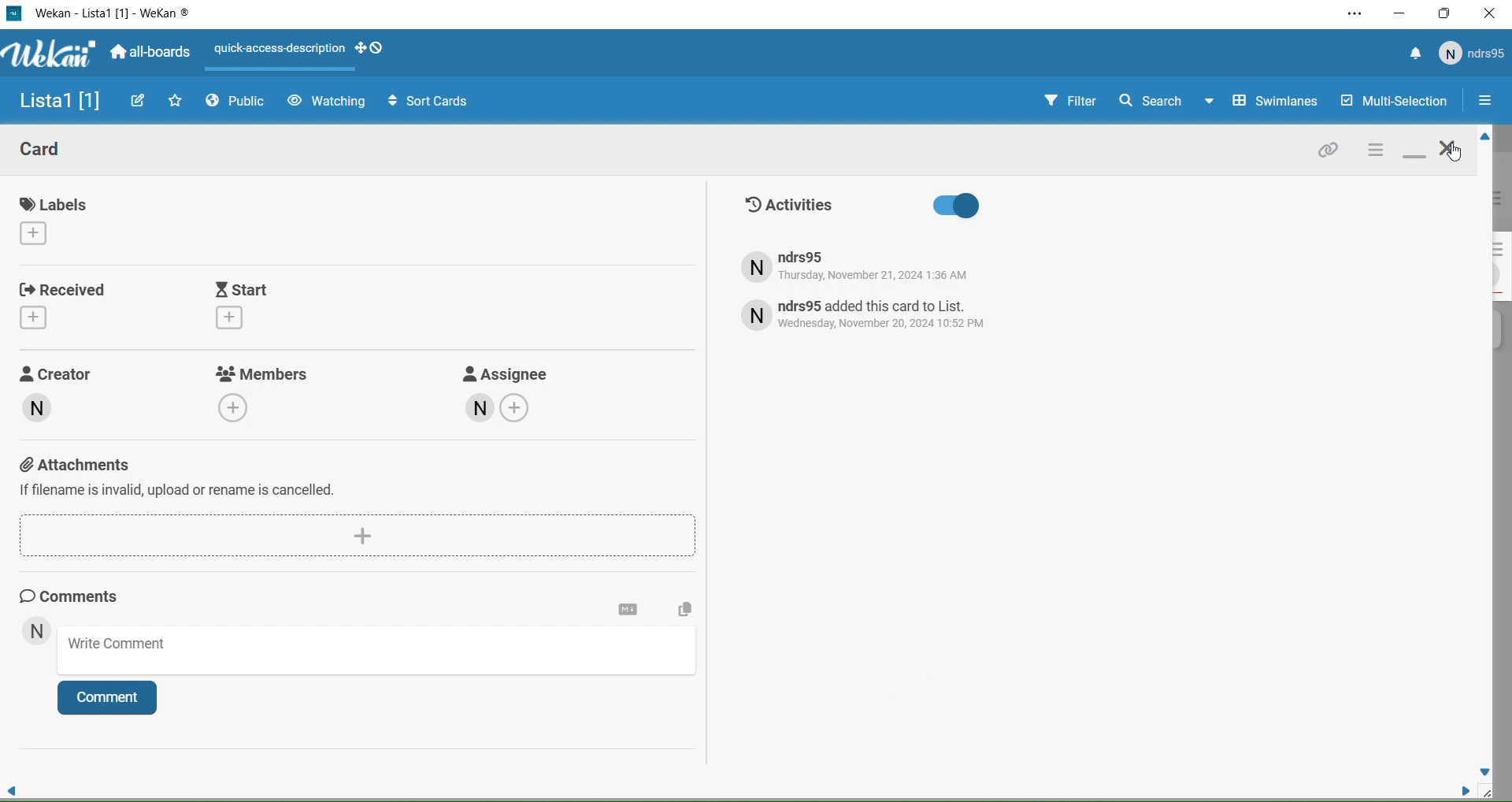 The height and width of the screenshot is (802, 1512). Describe the element at coordinates (1265, 102) in the screenshot. I see `Swimlines` at that location.